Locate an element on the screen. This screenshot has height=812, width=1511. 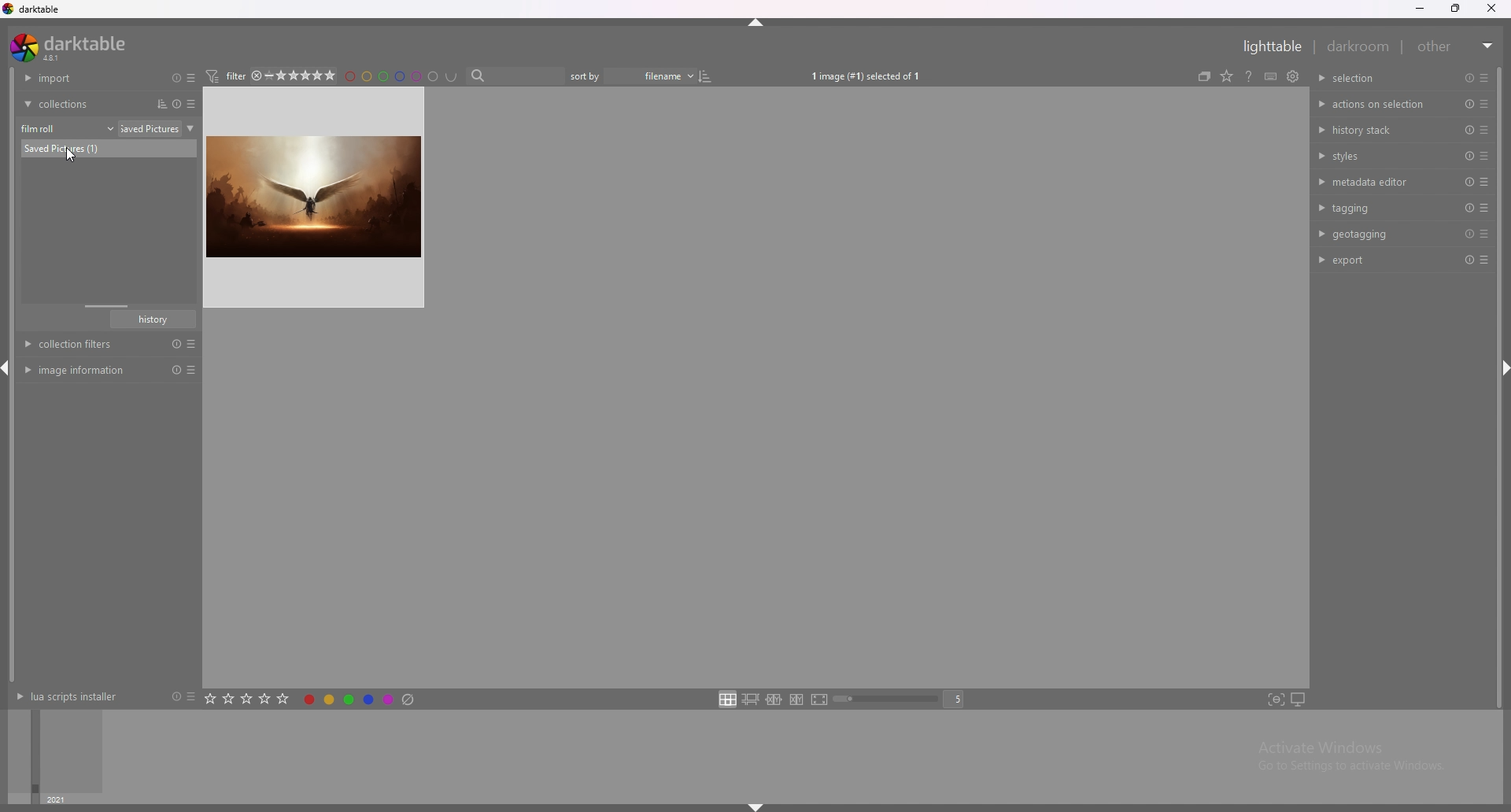
darkroom is located at coordinates (1359, 46).